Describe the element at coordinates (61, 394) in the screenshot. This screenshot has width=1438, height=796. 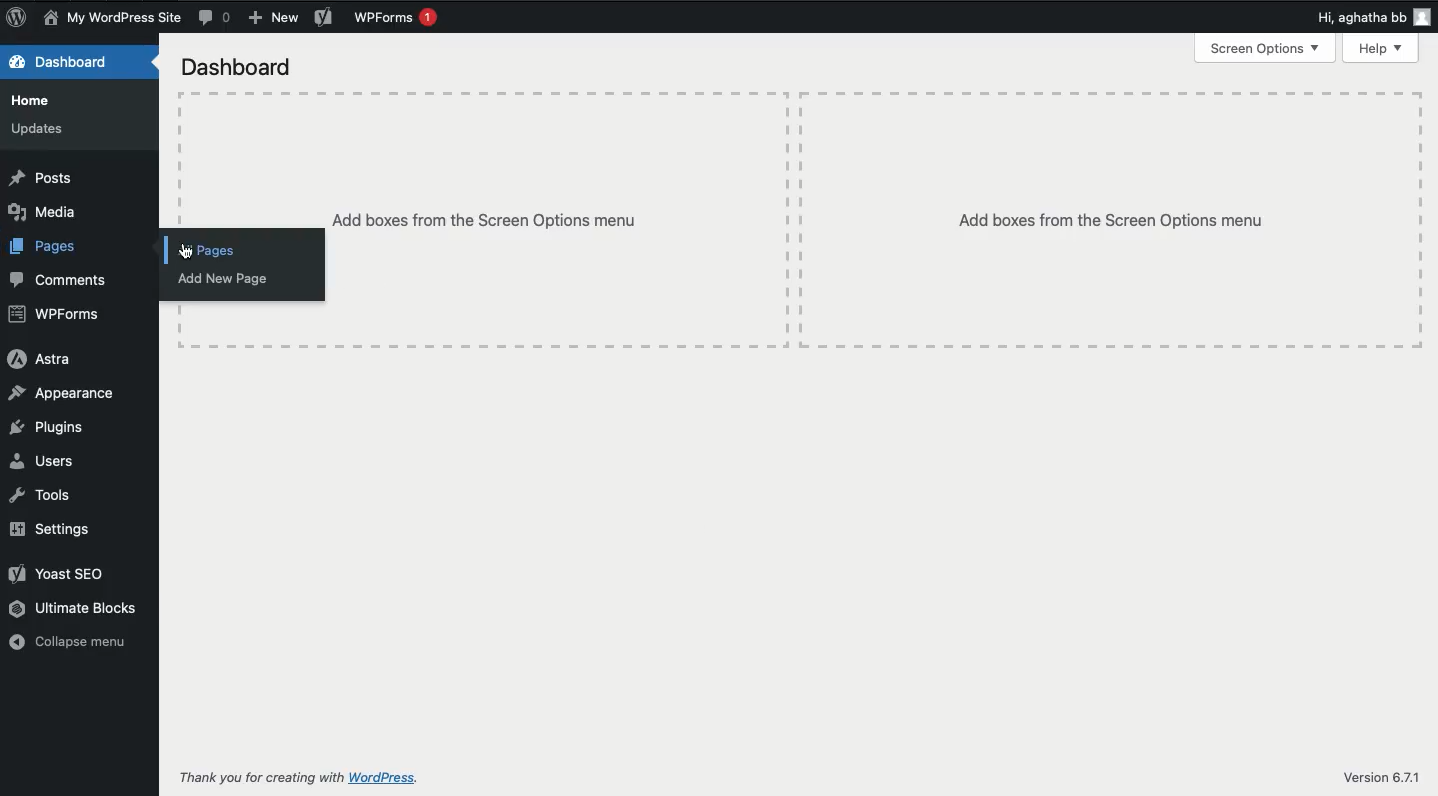
I see `Appearance` at that location.